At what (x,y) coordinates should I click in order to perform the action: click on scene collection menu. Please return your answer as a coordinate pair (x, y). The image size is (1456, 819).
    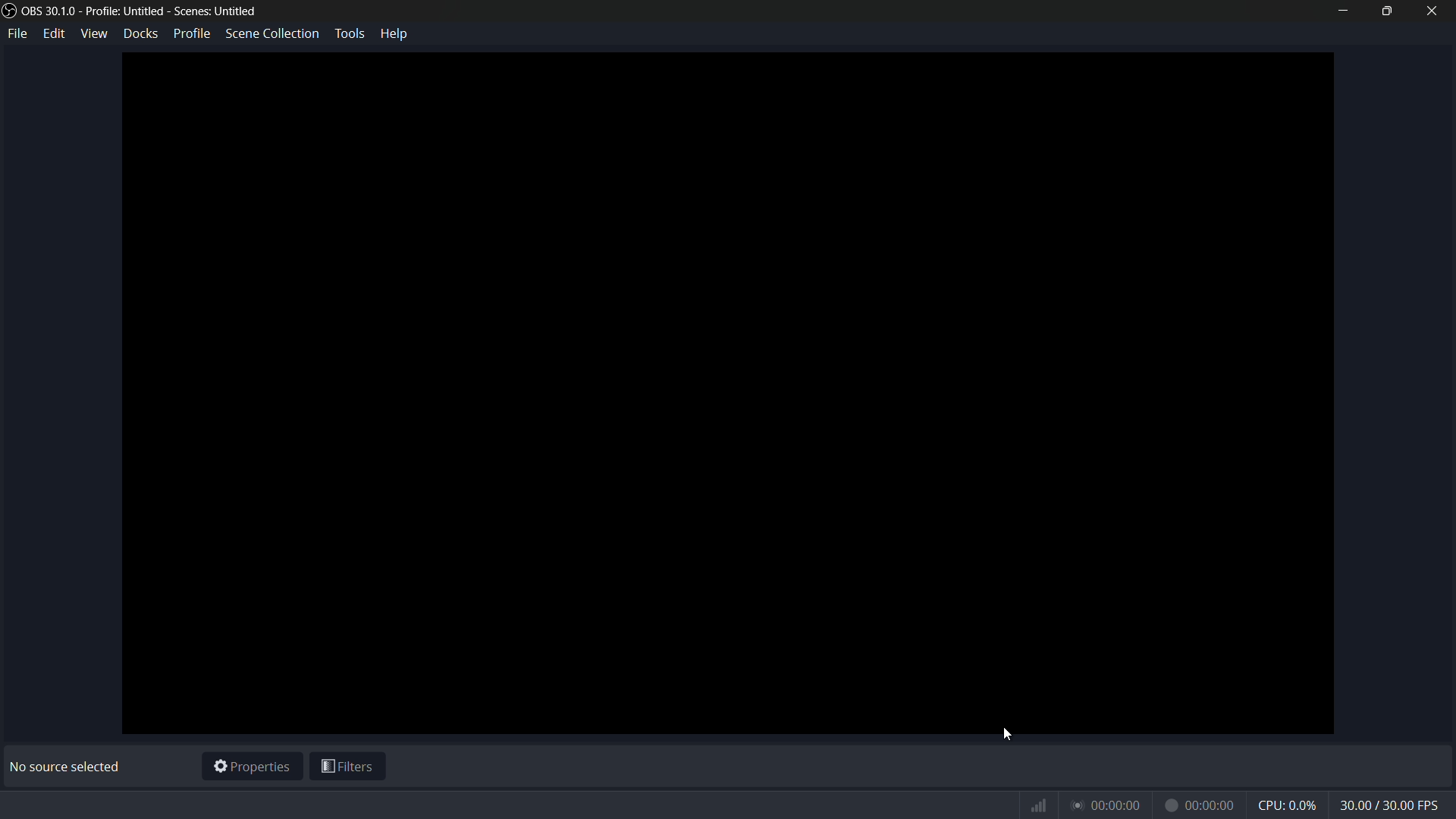
    Looking at the image, I should click on (271, 33).